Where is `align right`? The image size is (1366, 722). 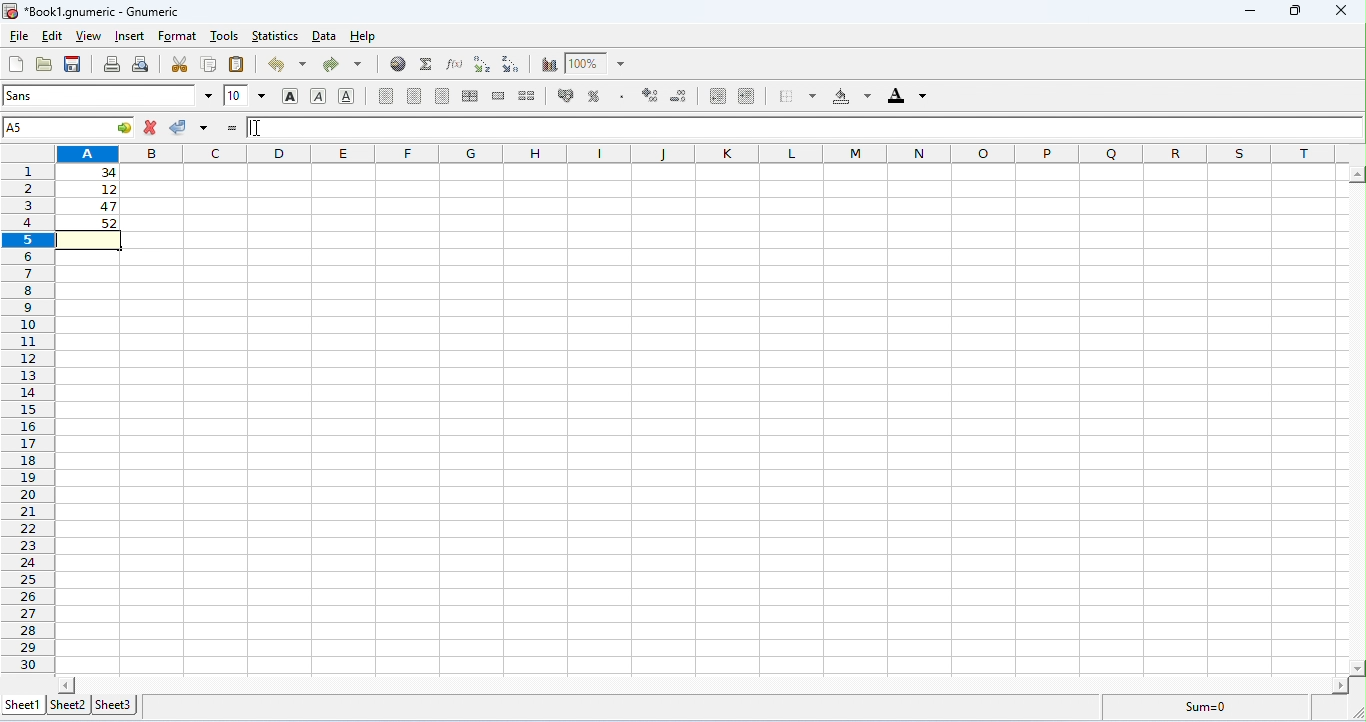 align right is located at coordinates (443, 96).